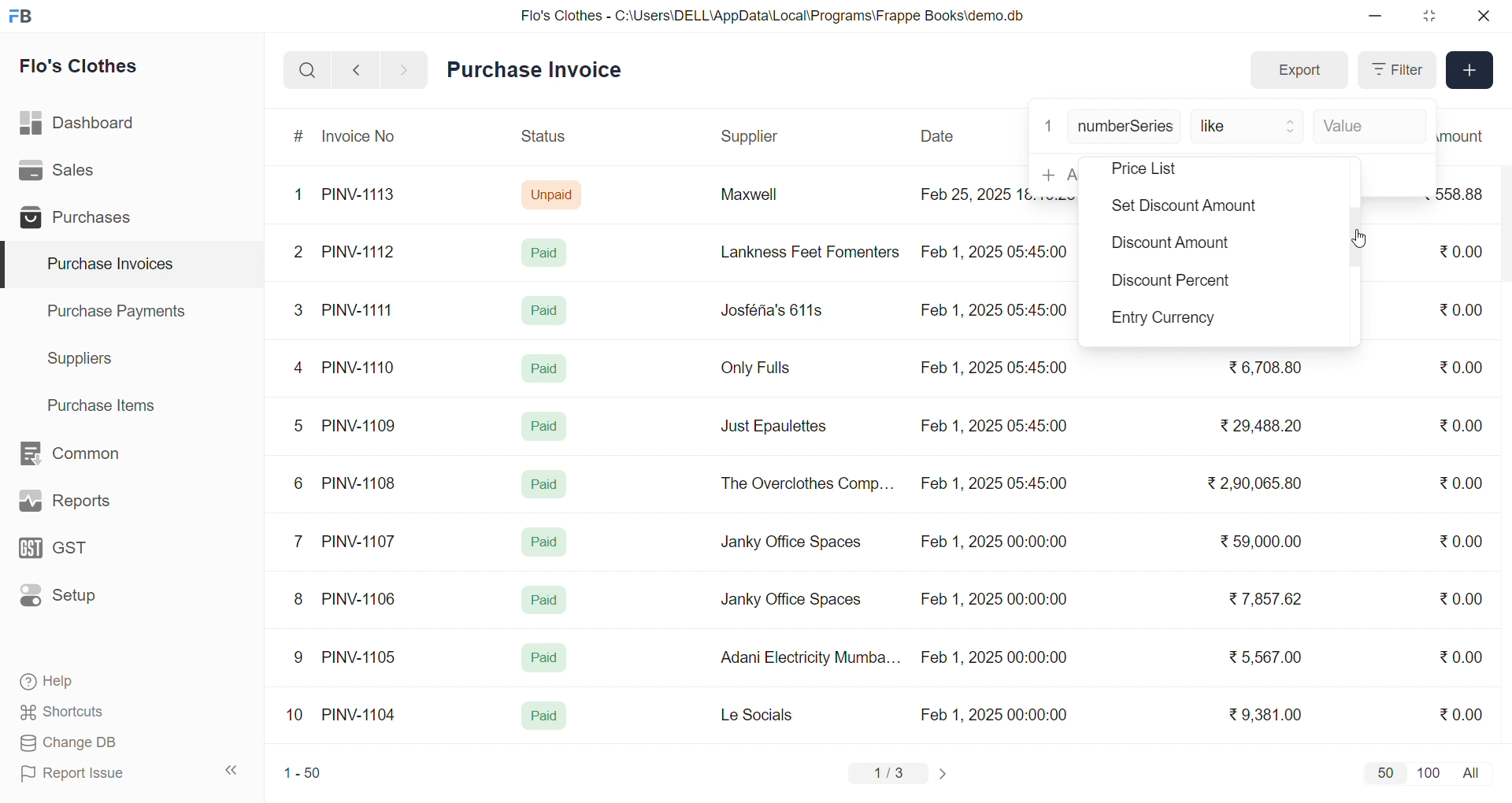 This screenshot has width=1512, height=803. Describe the element at coordinates (1168, 246) in the screenshot. I see `Discount Amount` at that location.